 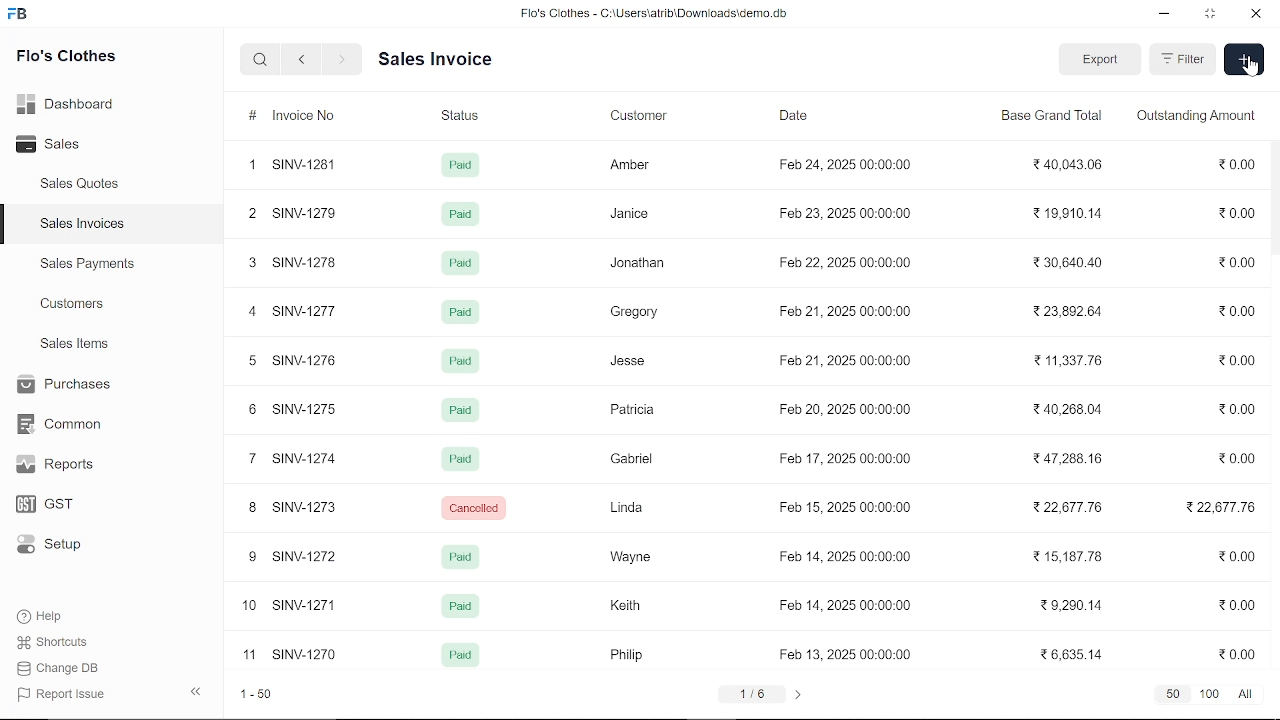 I want to click on 9 SINV-A272 Pad Wayne Feb 14, 2025 00:00:00 215,187.78 20.00, so click(x=751, y=556).